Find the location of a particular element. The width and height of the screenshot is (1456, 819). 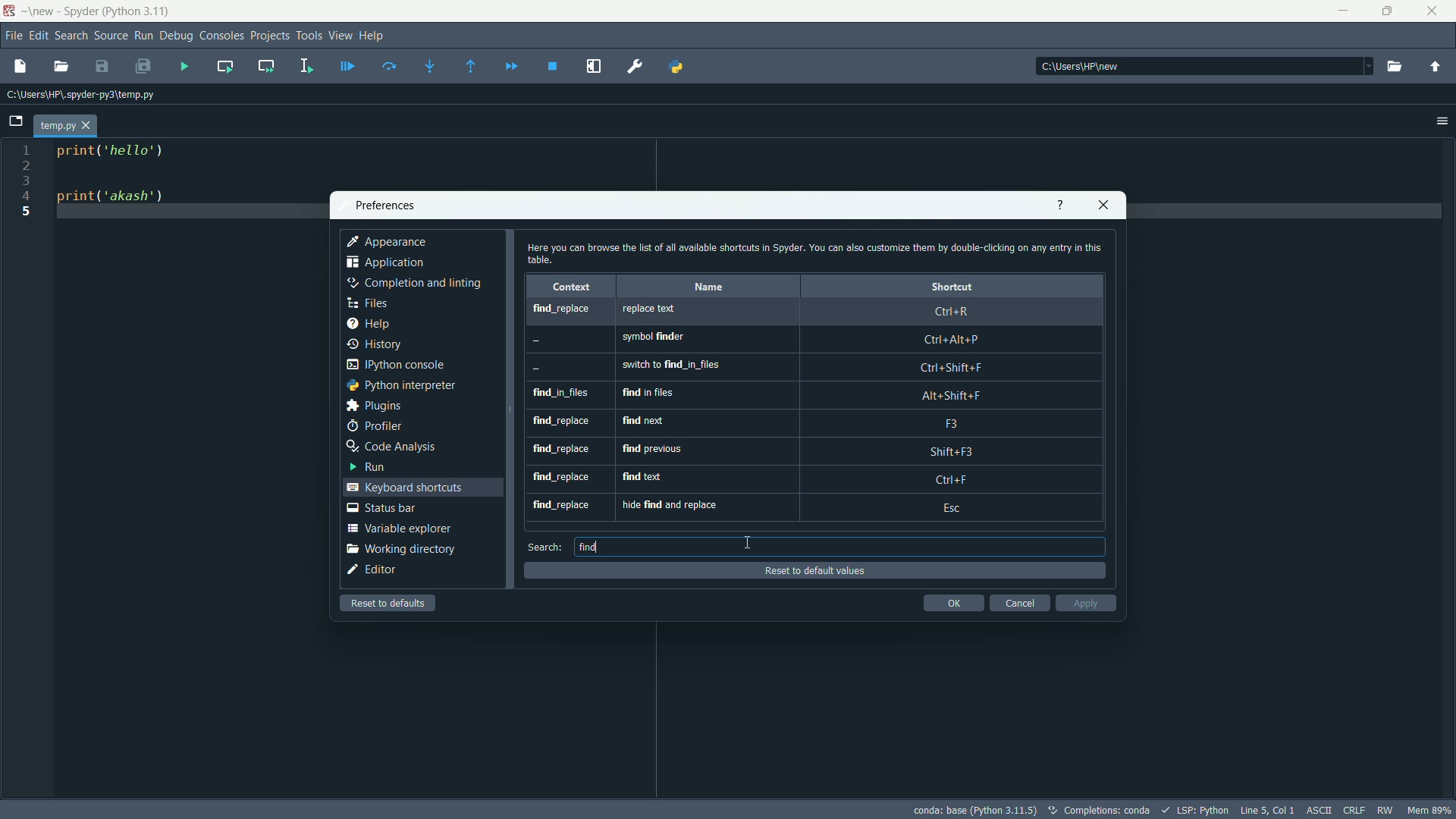

working directory is located at coordinates (400, 549).